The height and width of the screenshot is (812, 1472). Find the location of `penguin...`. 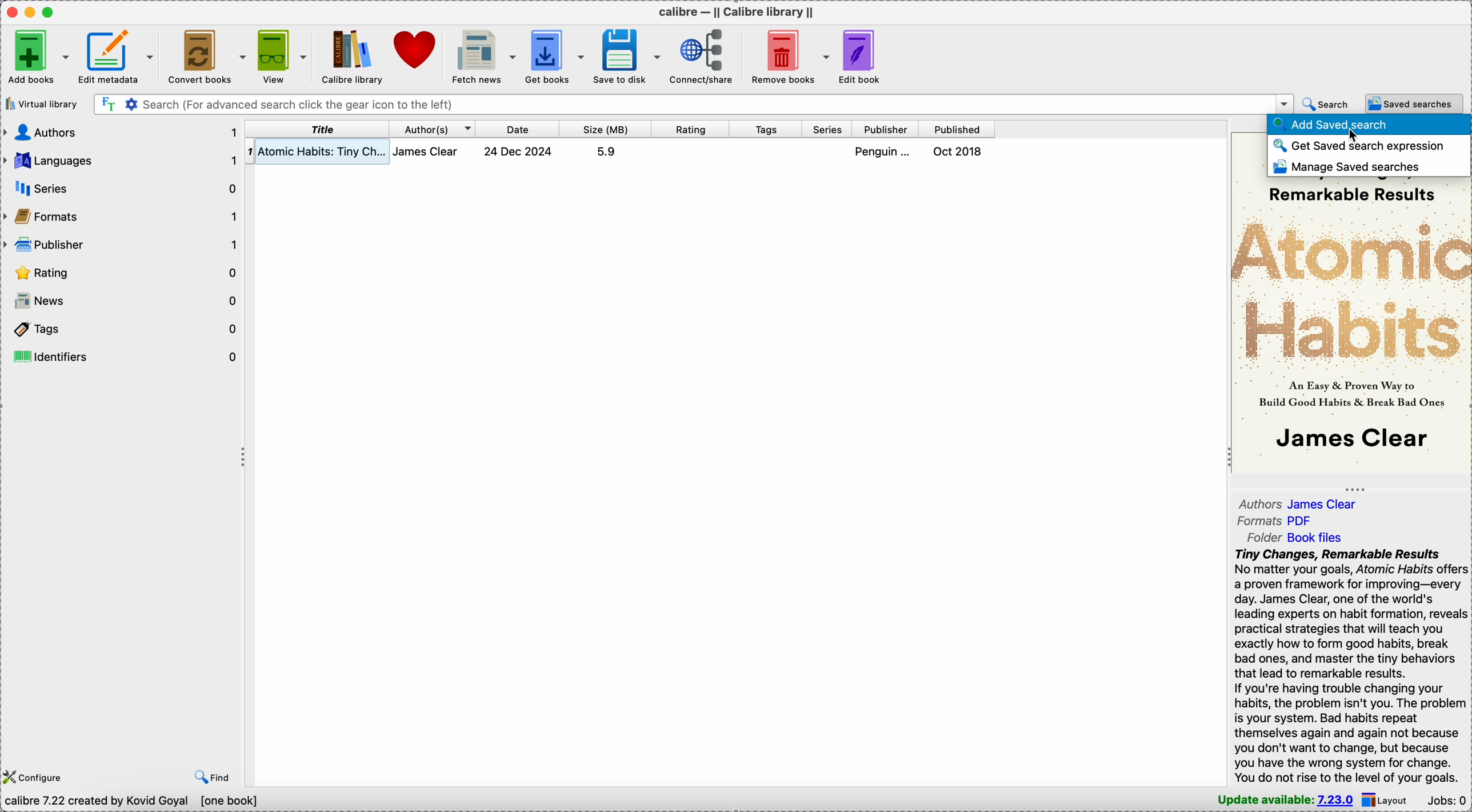

penguin... is located at coordinates (885, 151).